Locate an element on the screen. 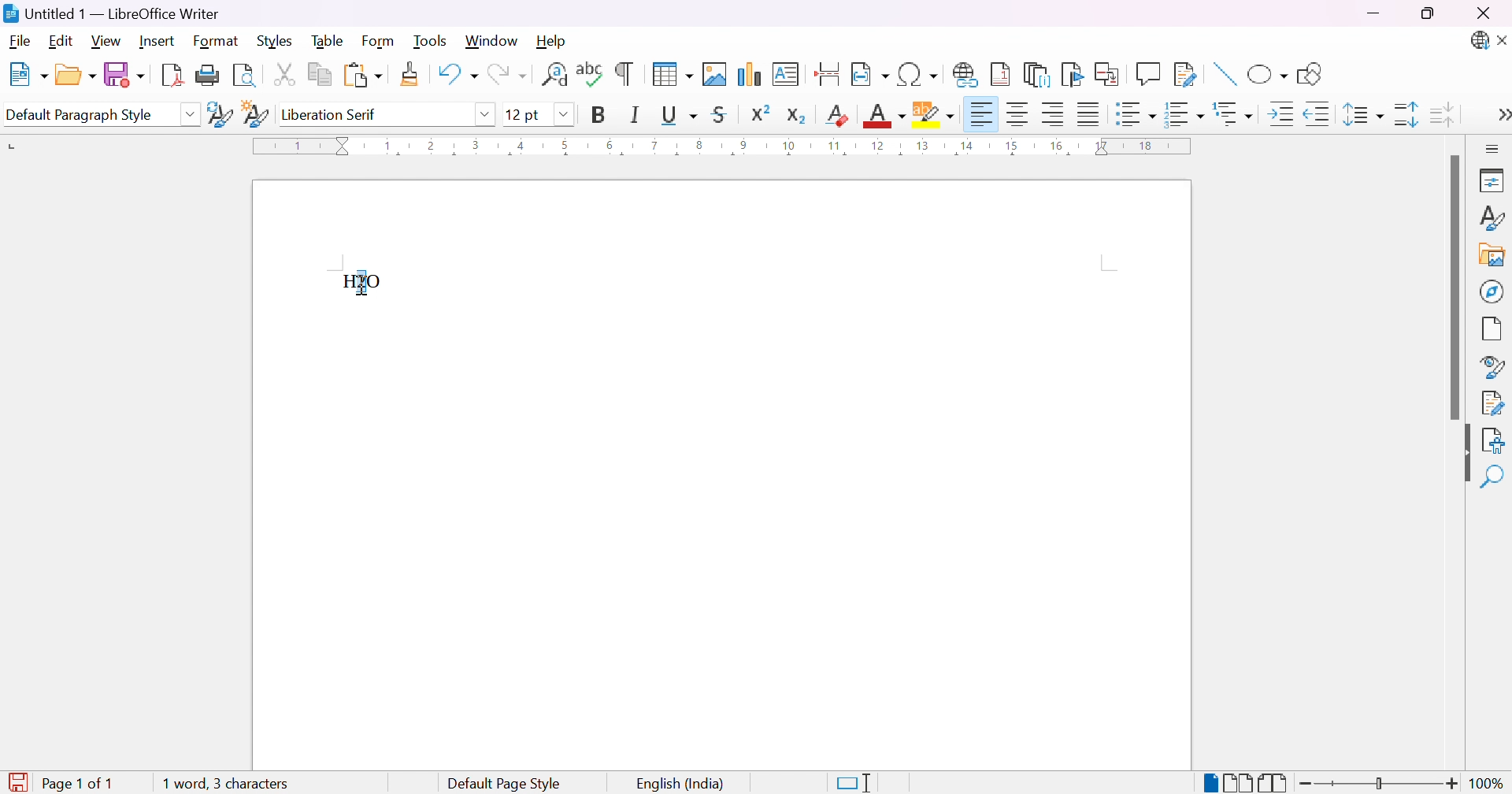  Redo is located at coordinates (506, 78).